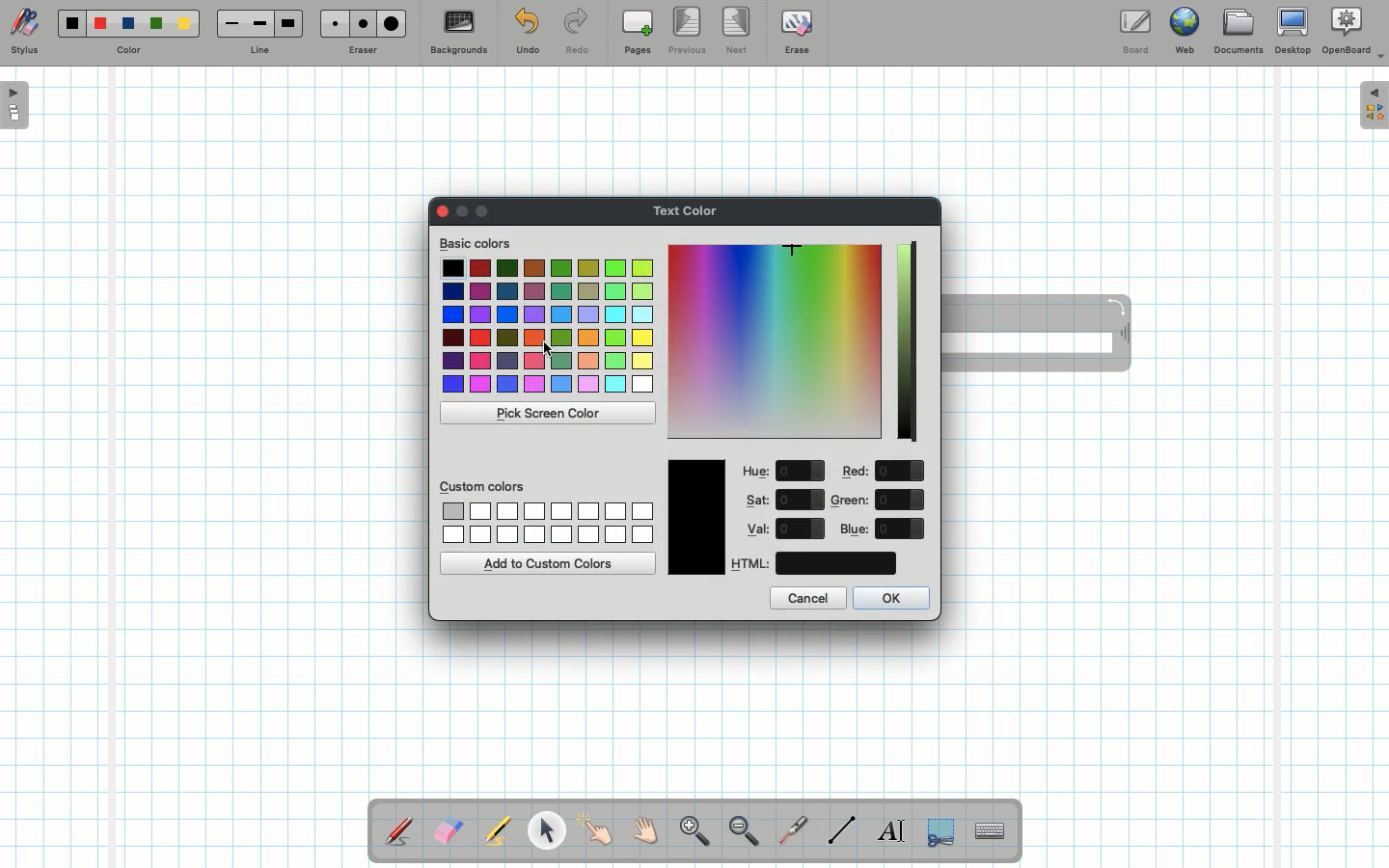 This screenshot has width=1389, height=868. I want to click on Color, so click(126, 51).